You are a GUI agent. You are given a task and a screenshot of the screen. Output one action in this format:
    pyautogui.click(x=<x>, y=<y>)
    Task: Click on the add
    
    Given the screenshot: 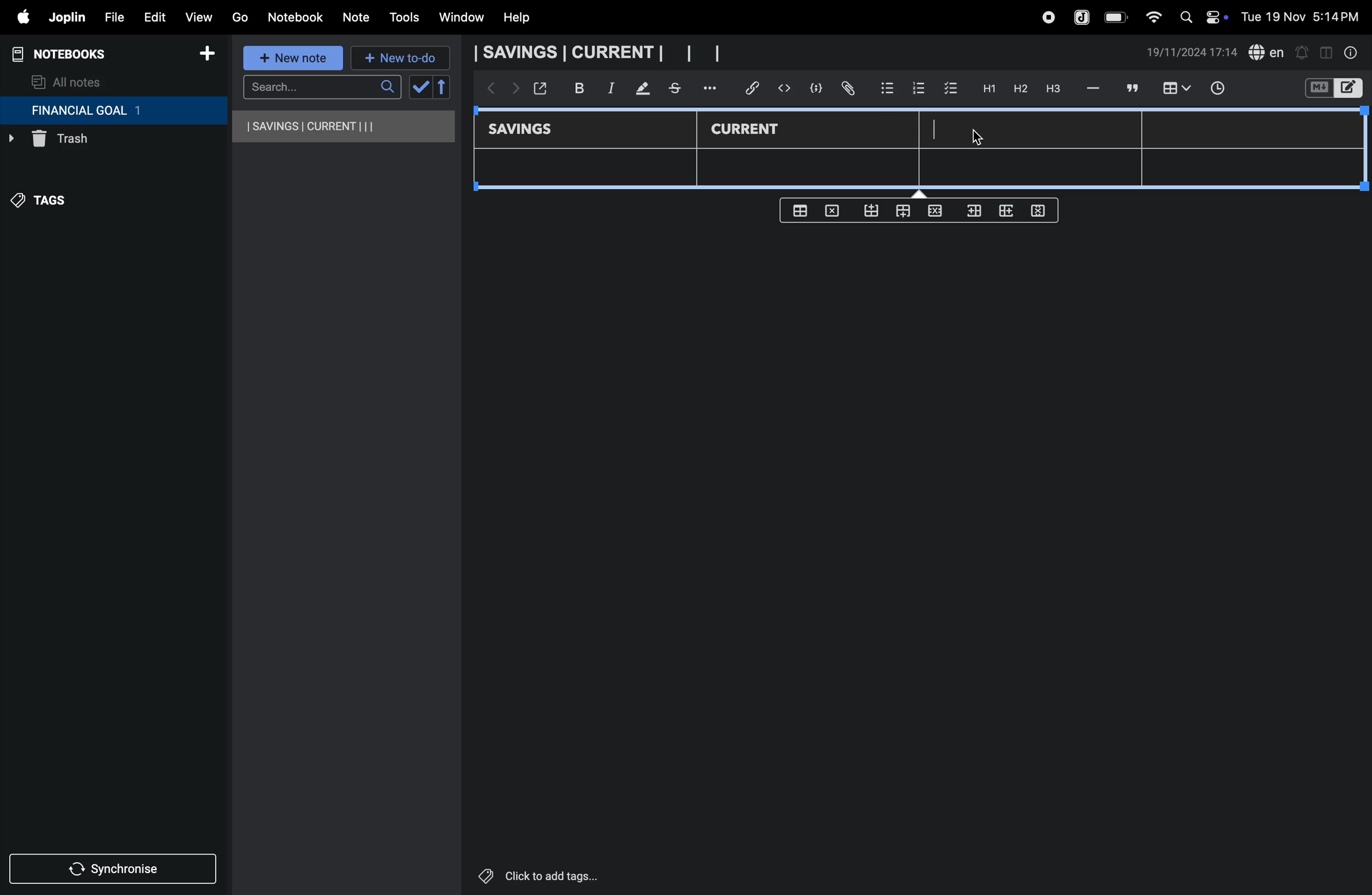 What is the action you would take?
    pyautogui.click(x=207, y=55)
    